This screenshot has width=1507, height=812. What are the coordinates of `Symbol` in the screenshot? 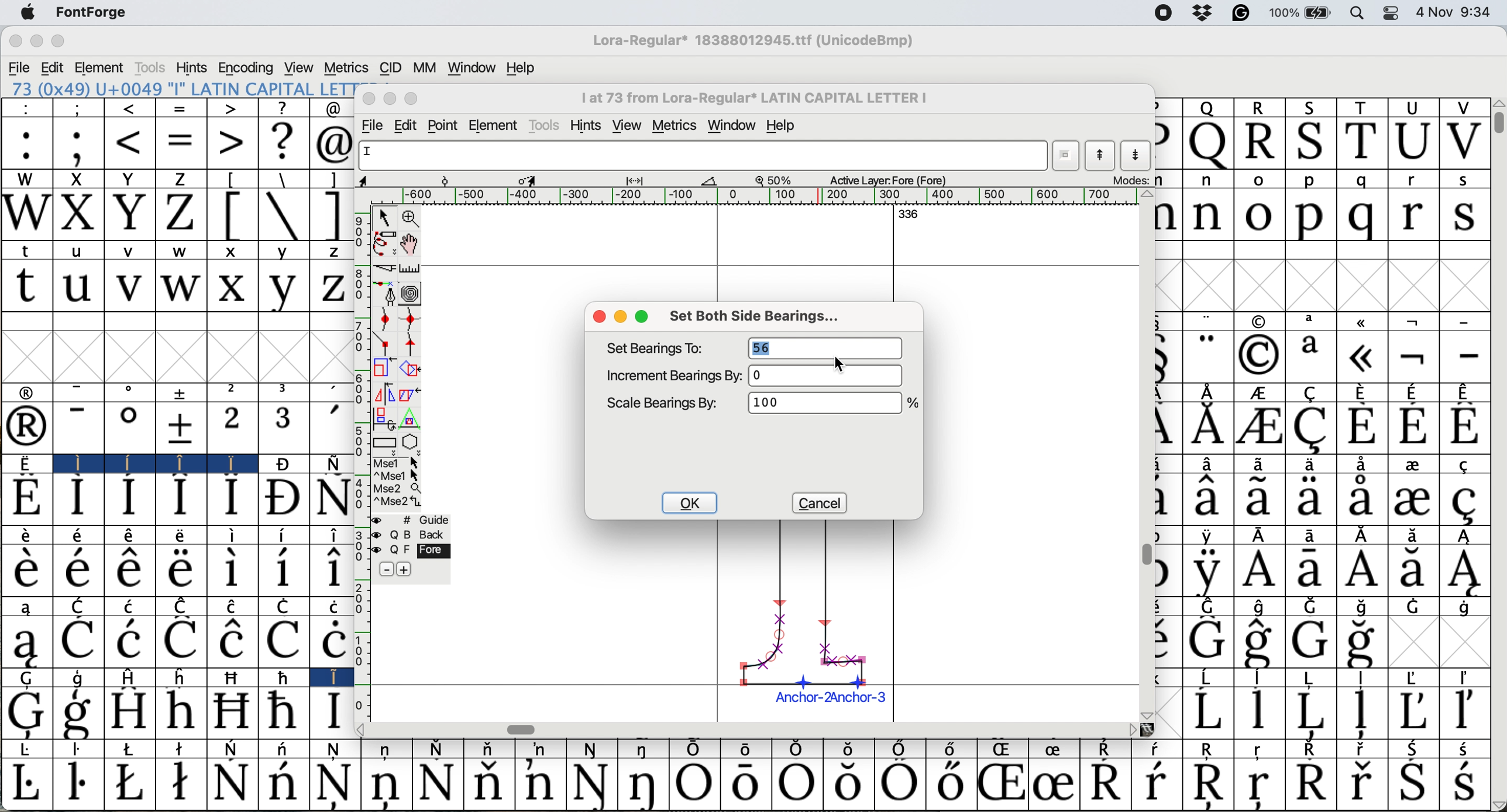 It's located at (26, 498).